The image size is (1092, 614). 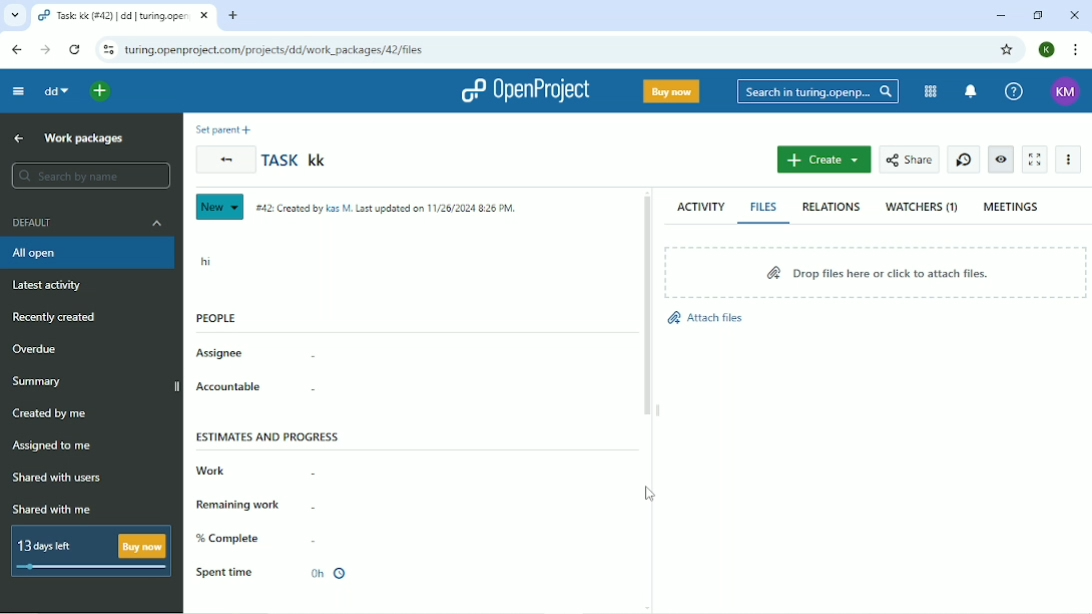 What do you see at coordinates (928, 92) in the screenshot?
I see `Modules` at bounding box center [928, 92].